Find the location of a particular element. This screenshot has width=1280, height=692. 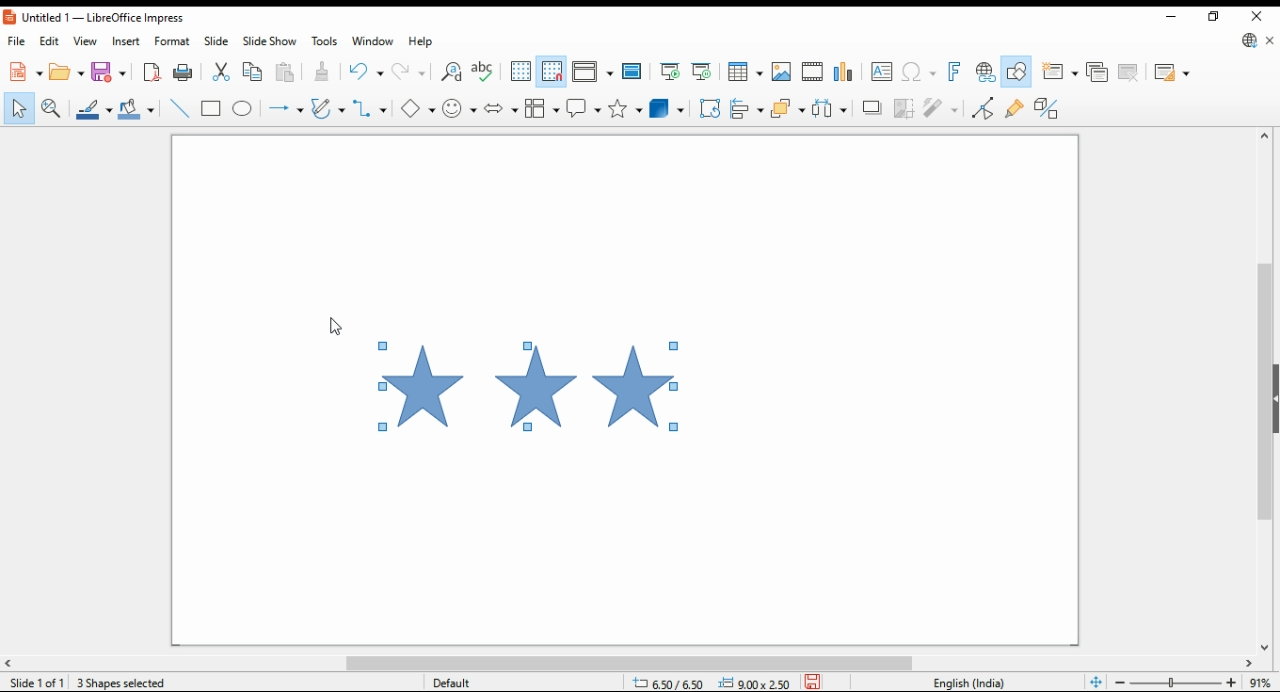

minimize is located at coordinates (1176, 17).